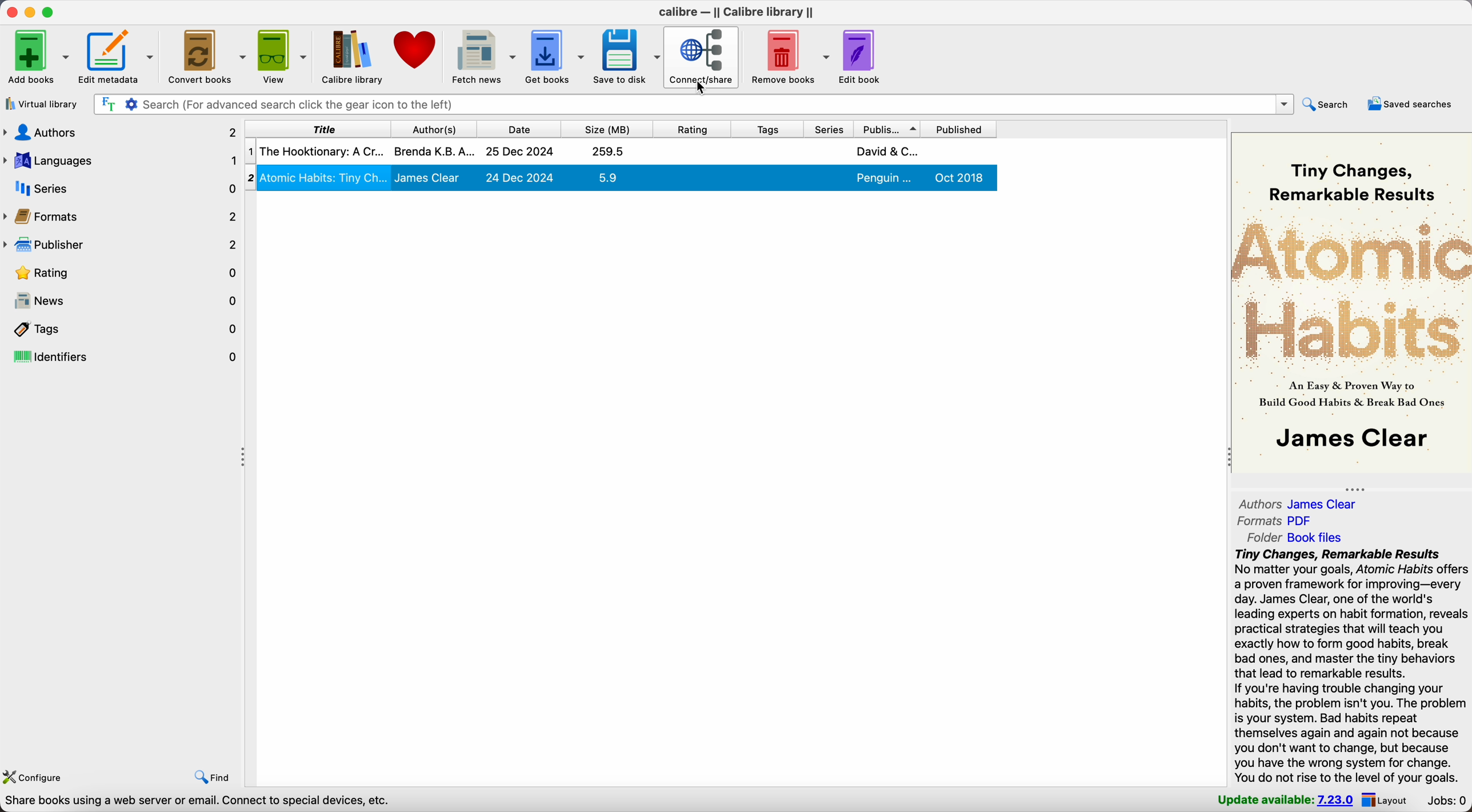 The height and width of the screenshot is (812, 1472). I want to click on tags, so click(122, 329).